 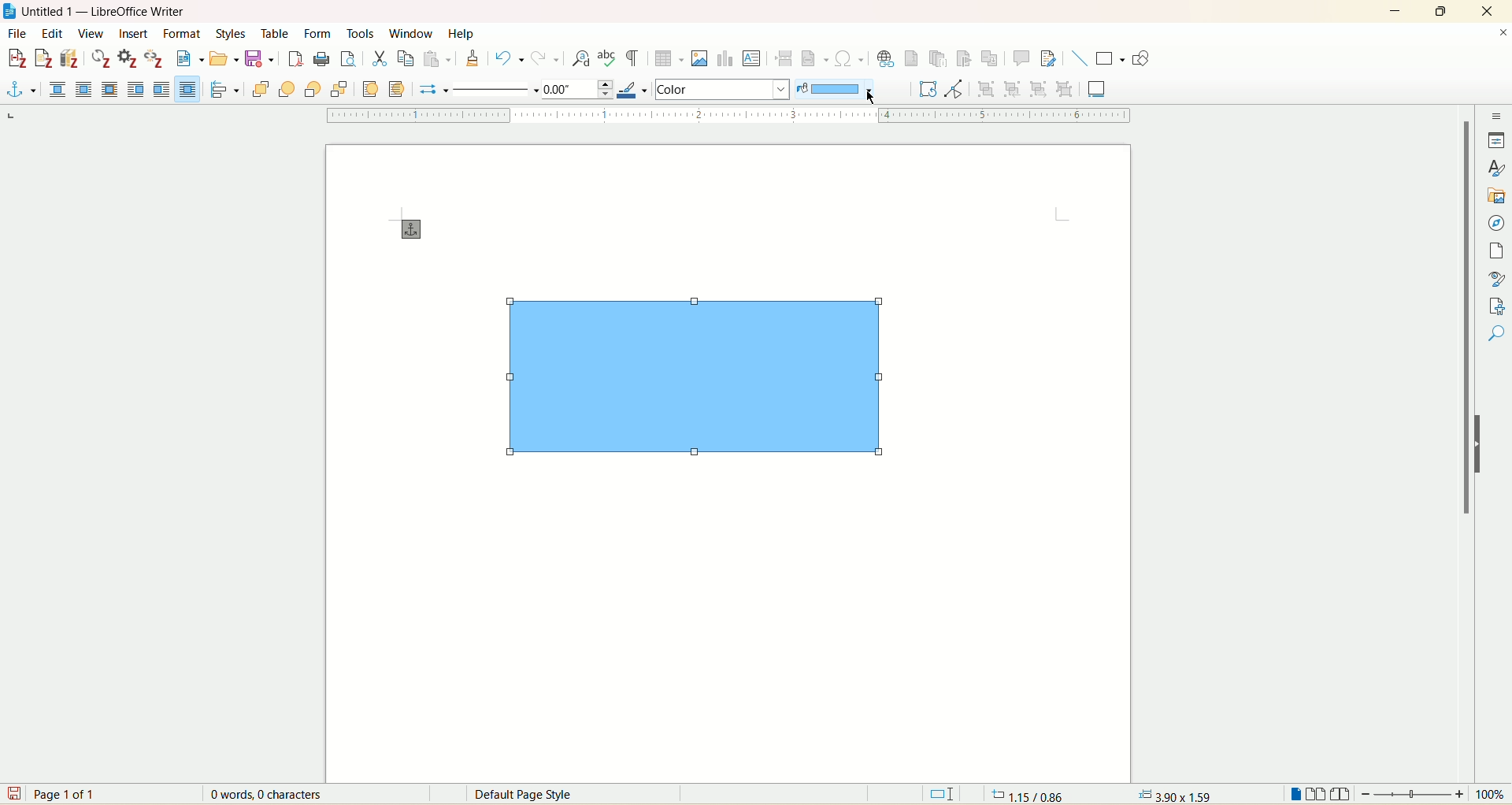 What do you see at coordinates (228, 90) in the screenshot?
I see `align object` at bounding box center [228, 90].